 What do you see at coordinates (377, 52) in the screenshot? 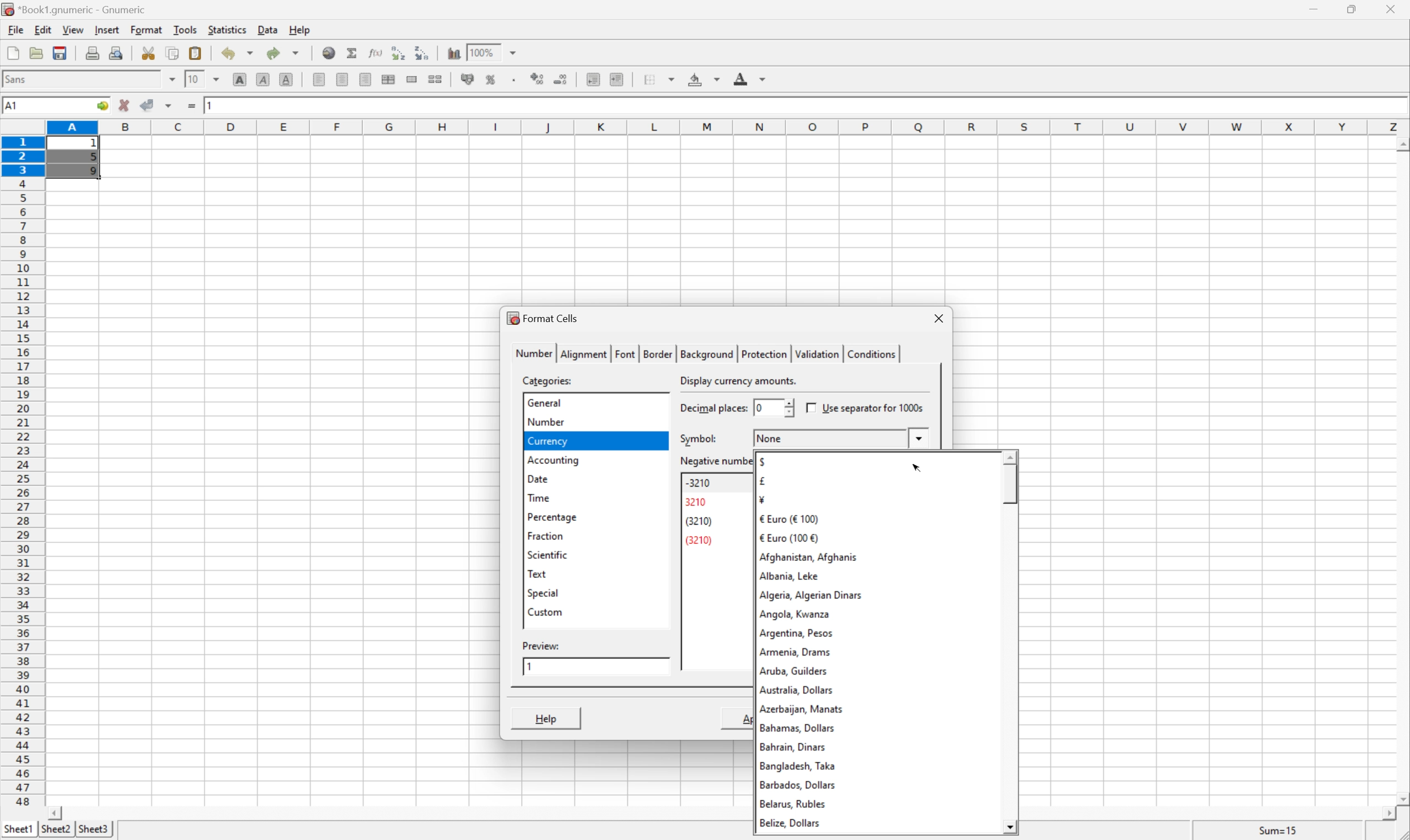
I see `edit function in current cell` at bounding box center [377, 52].